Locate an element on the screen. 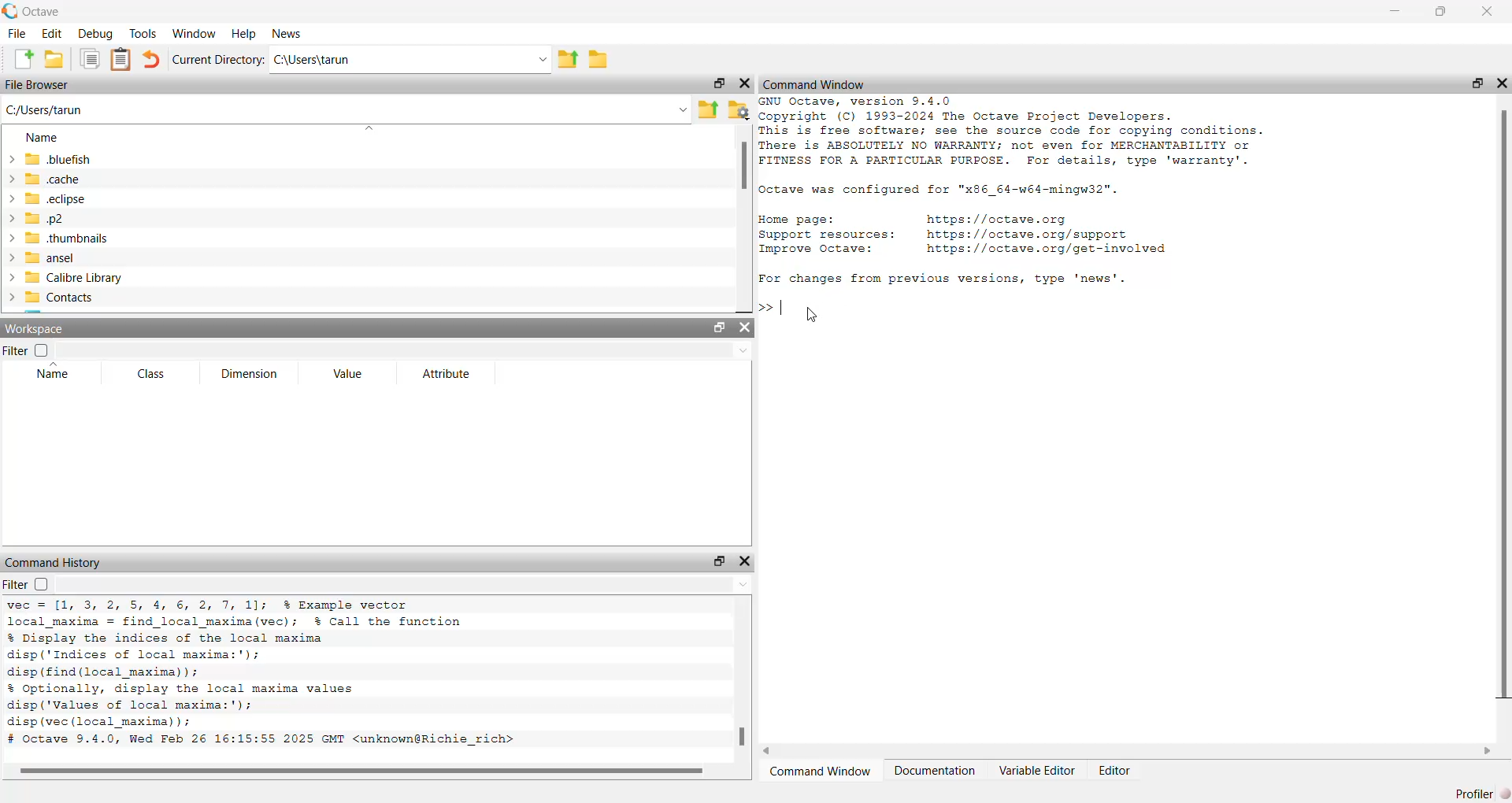 This screenshot has width=1512, height=803. horizontal scroll bar is located at coordinates (1127, 751).